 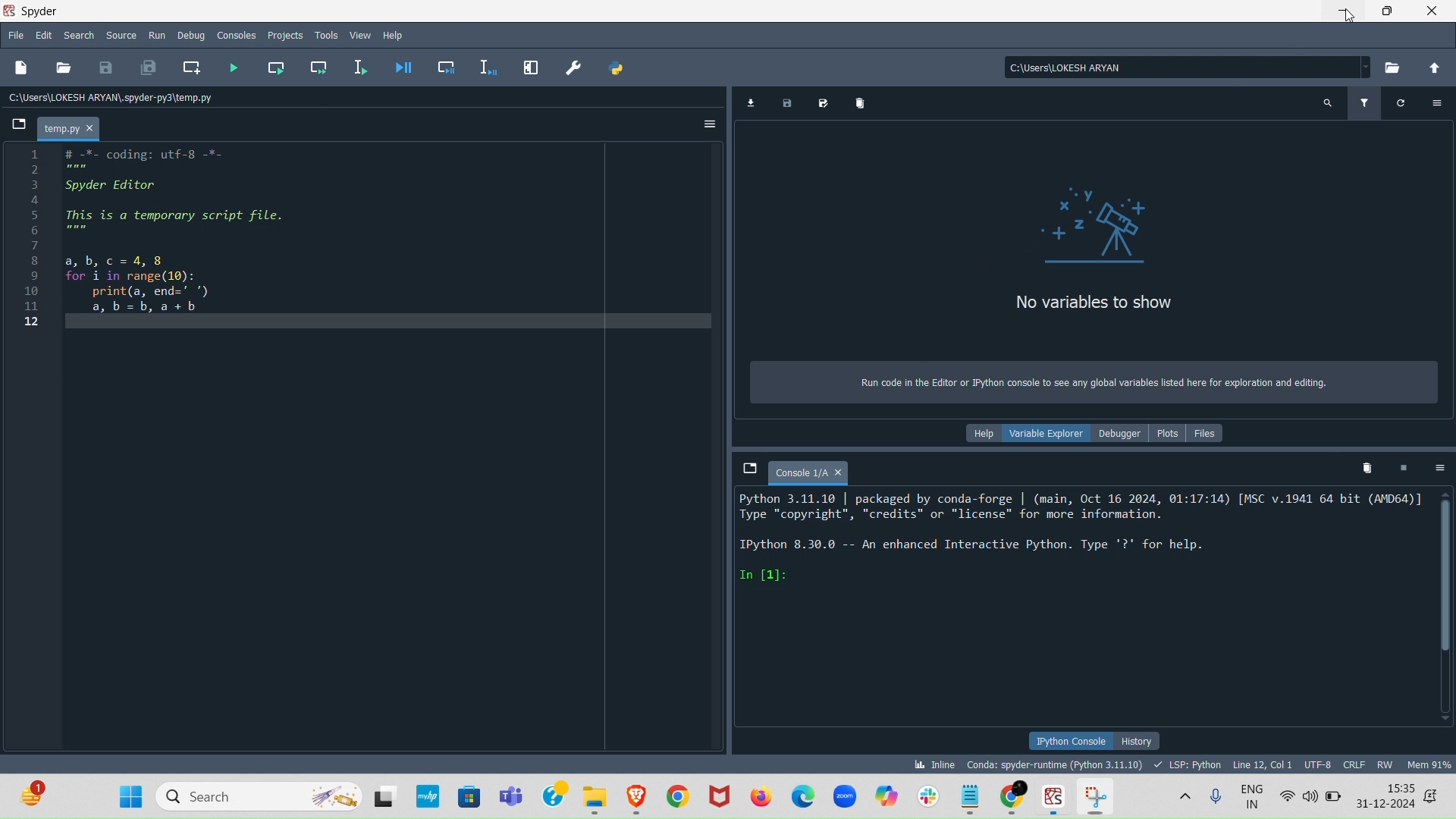 What do you see at coordinates (728, 797) in the screenshot?
I see `Wndows bar` at bounding box center [728, 797].